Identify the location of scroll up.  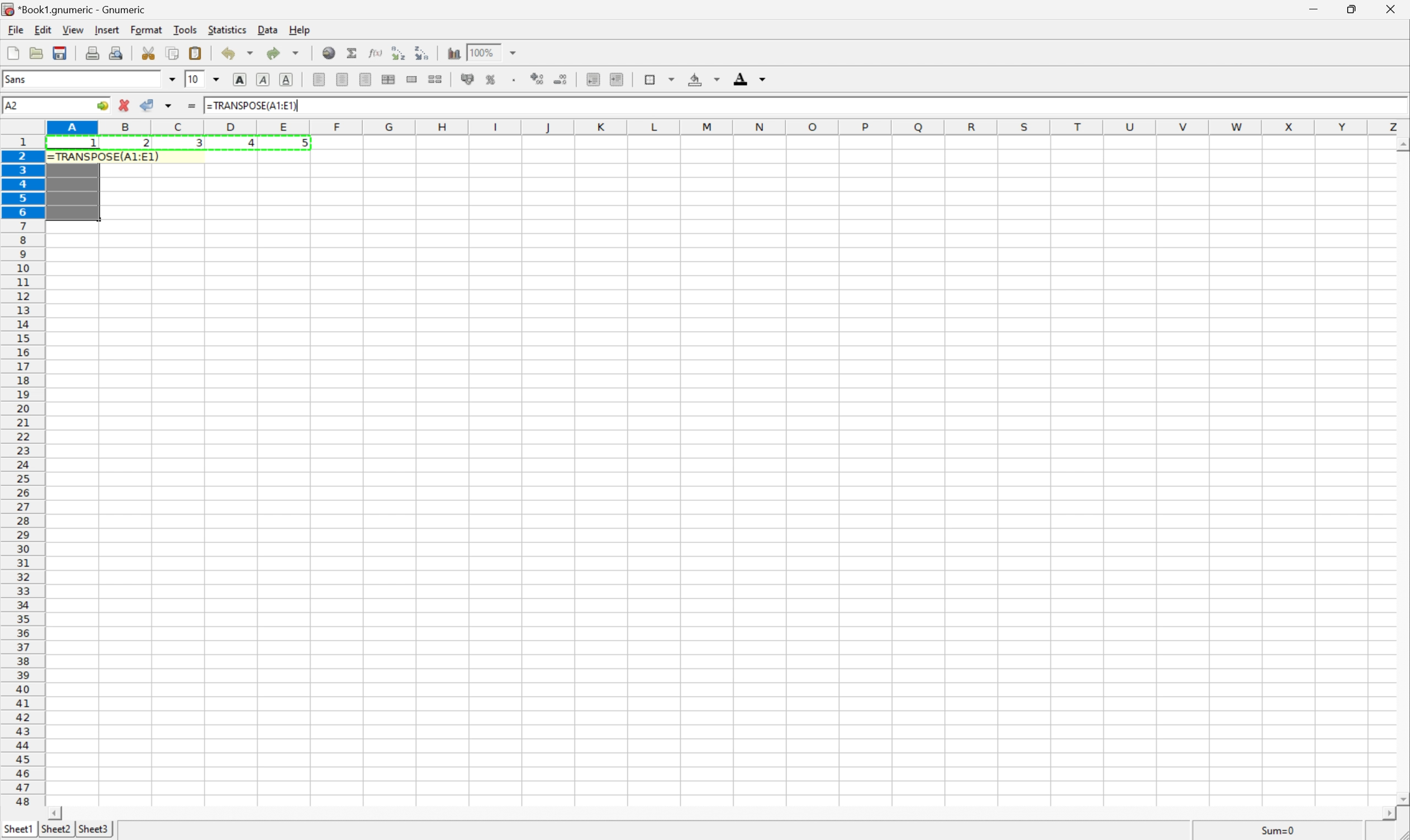
(1401, 146).